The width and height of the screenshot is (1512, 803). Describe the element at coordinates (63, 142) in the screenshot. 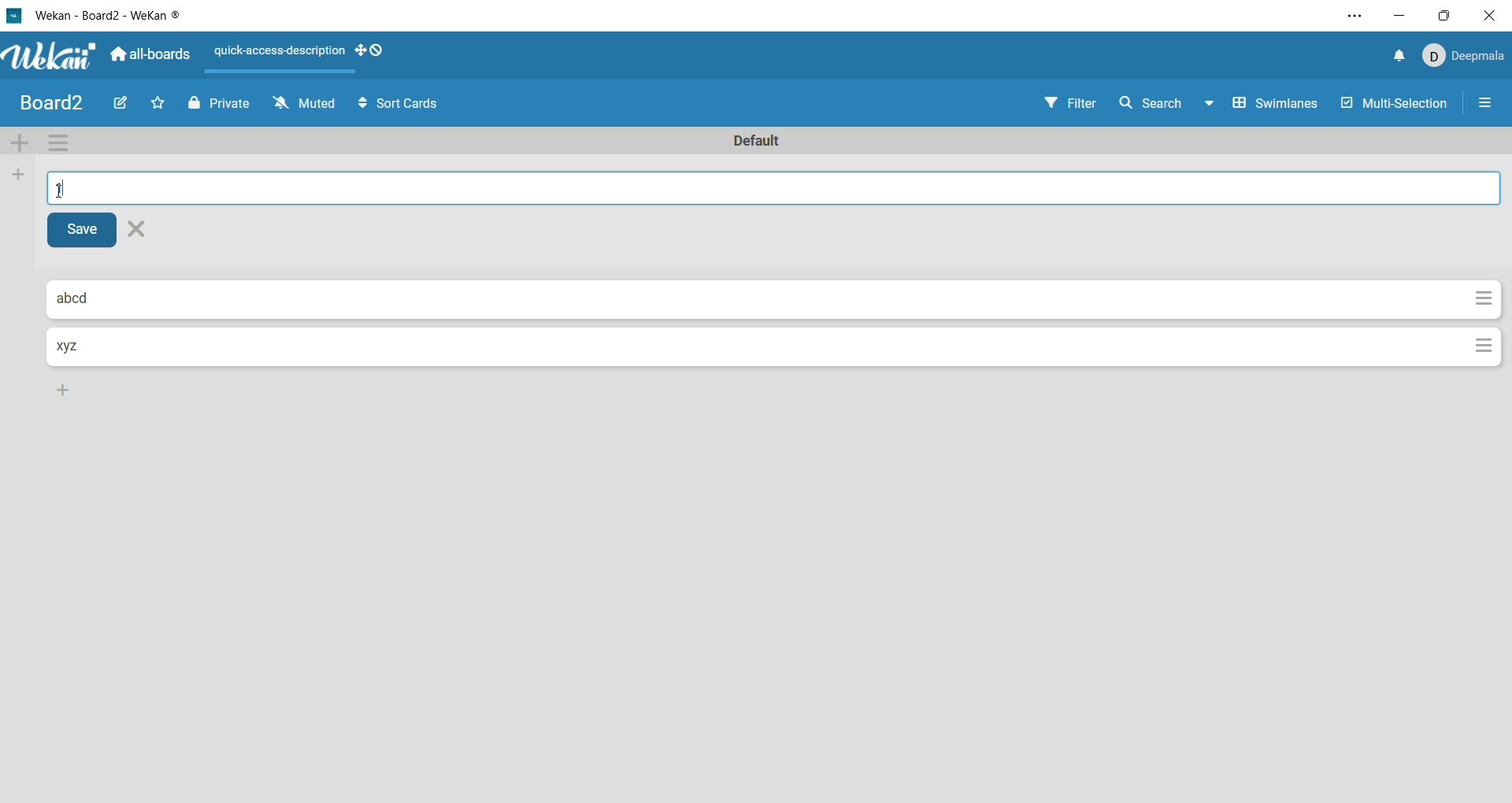

I see `swimlane action` at that location.